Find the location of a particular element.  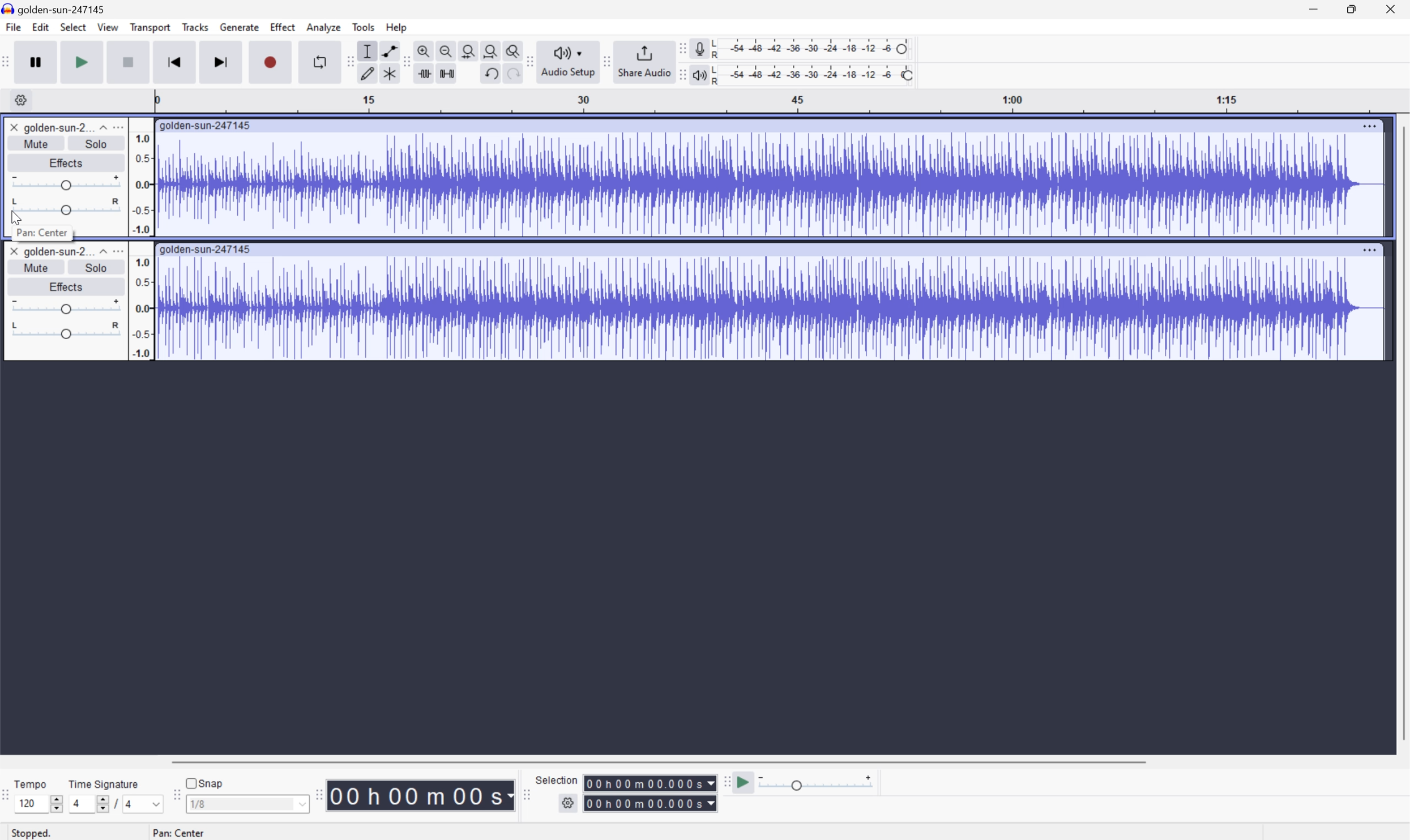

More is located at coordinates (119, 253).